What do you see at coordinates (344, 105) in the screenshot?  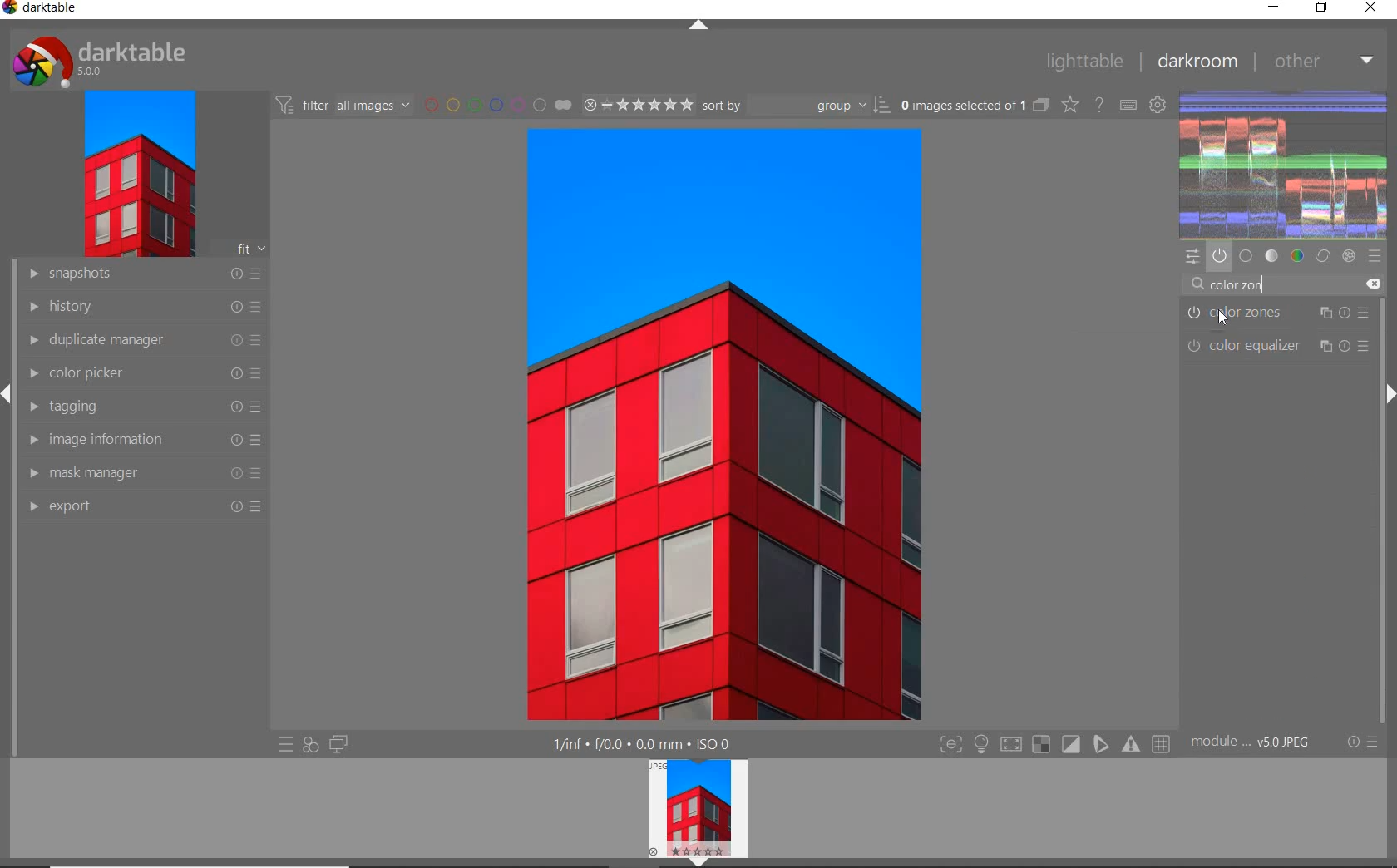 I see `filter all images` at bounding box center [344, 105].